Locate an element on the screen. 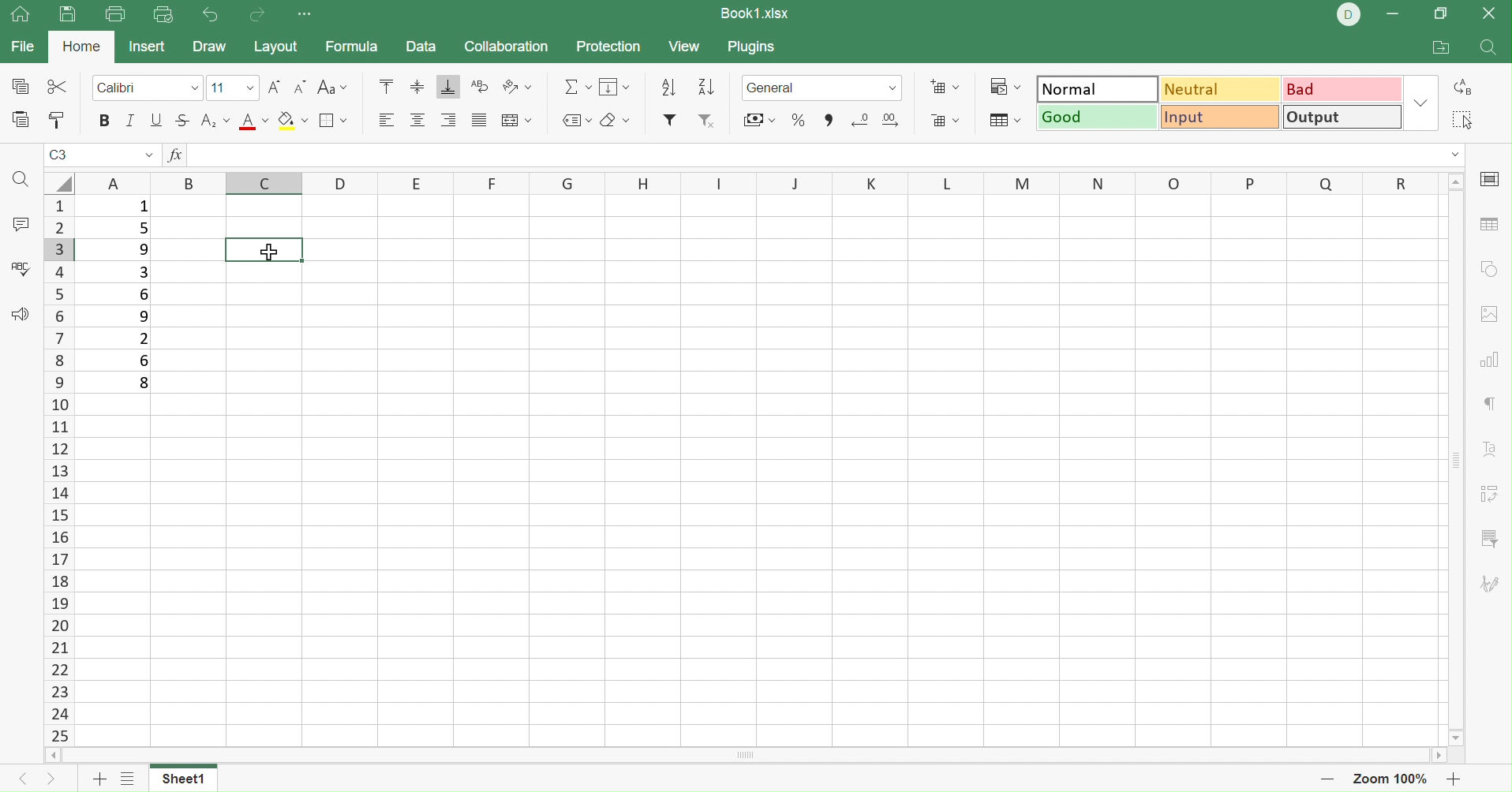 The image size is (1512, 792). Print file is located at coordinates (118, 15).